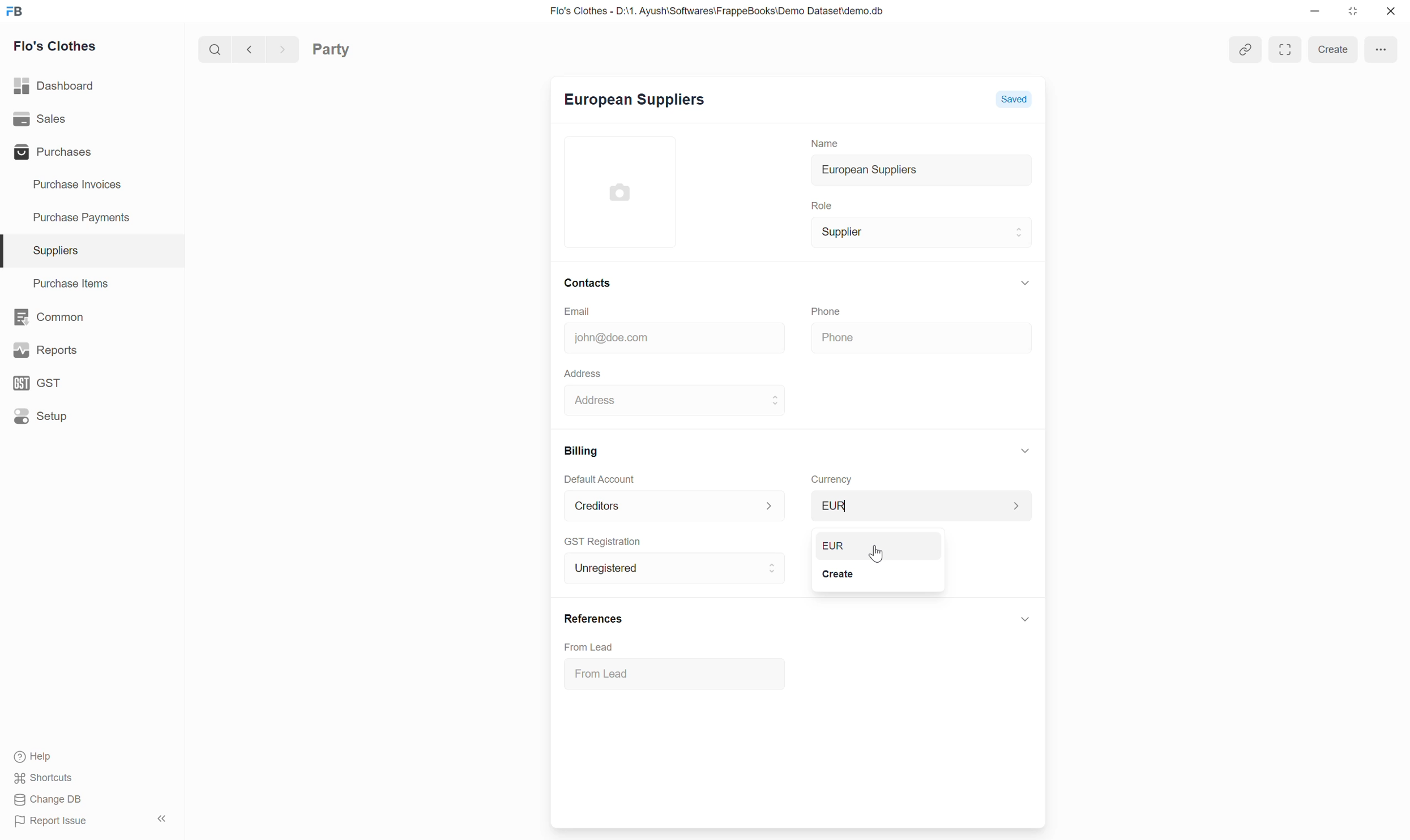 The height and width of the screenshot is (840, 1410). What do you see at coordinates (601, 309) in the screenshot?
I see `Email` at bounding box center [601, 309].